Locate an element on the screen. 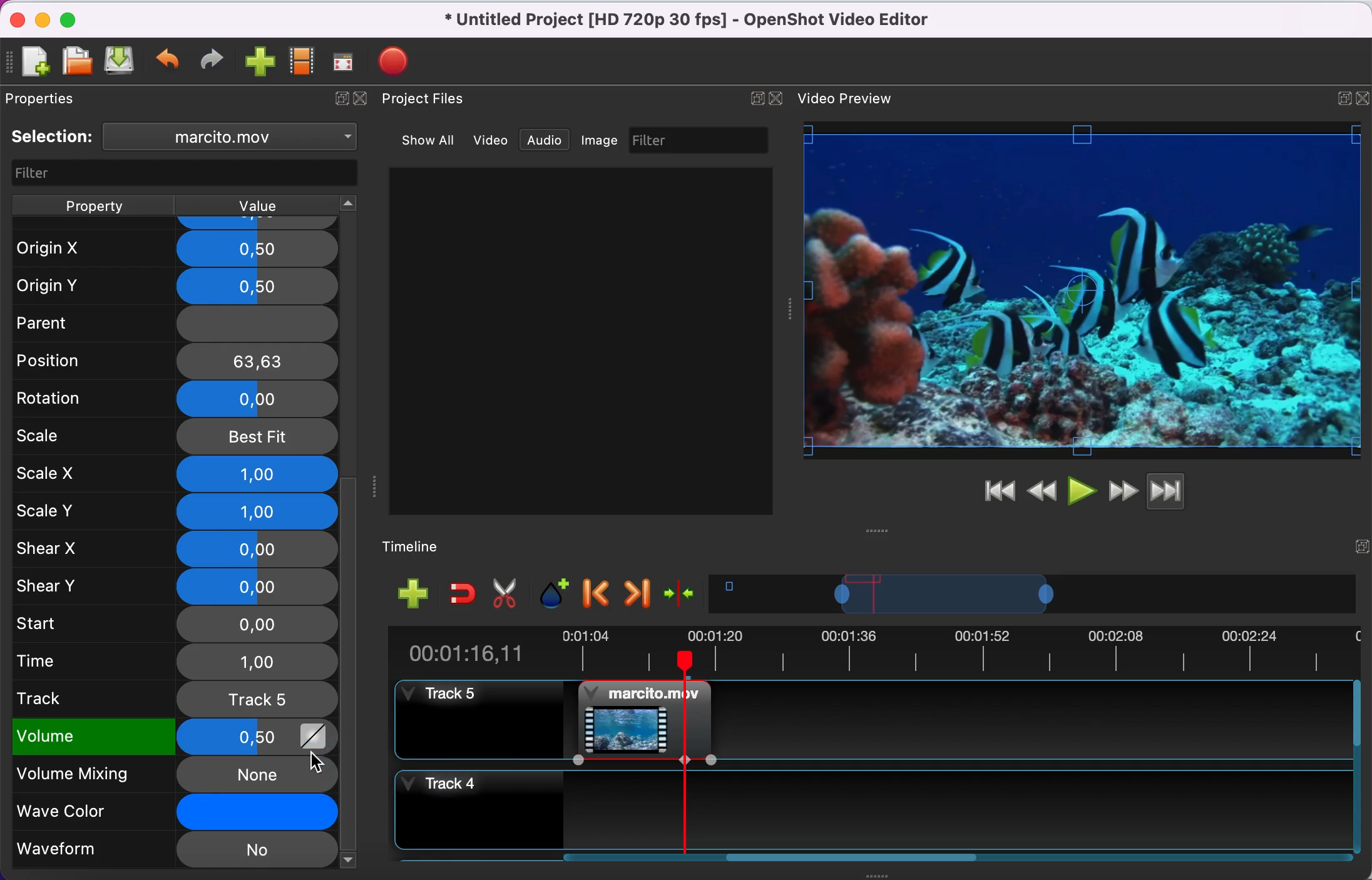 This screenshot has height=880, width=1372. track 5 is located at coordinates (473, 719).